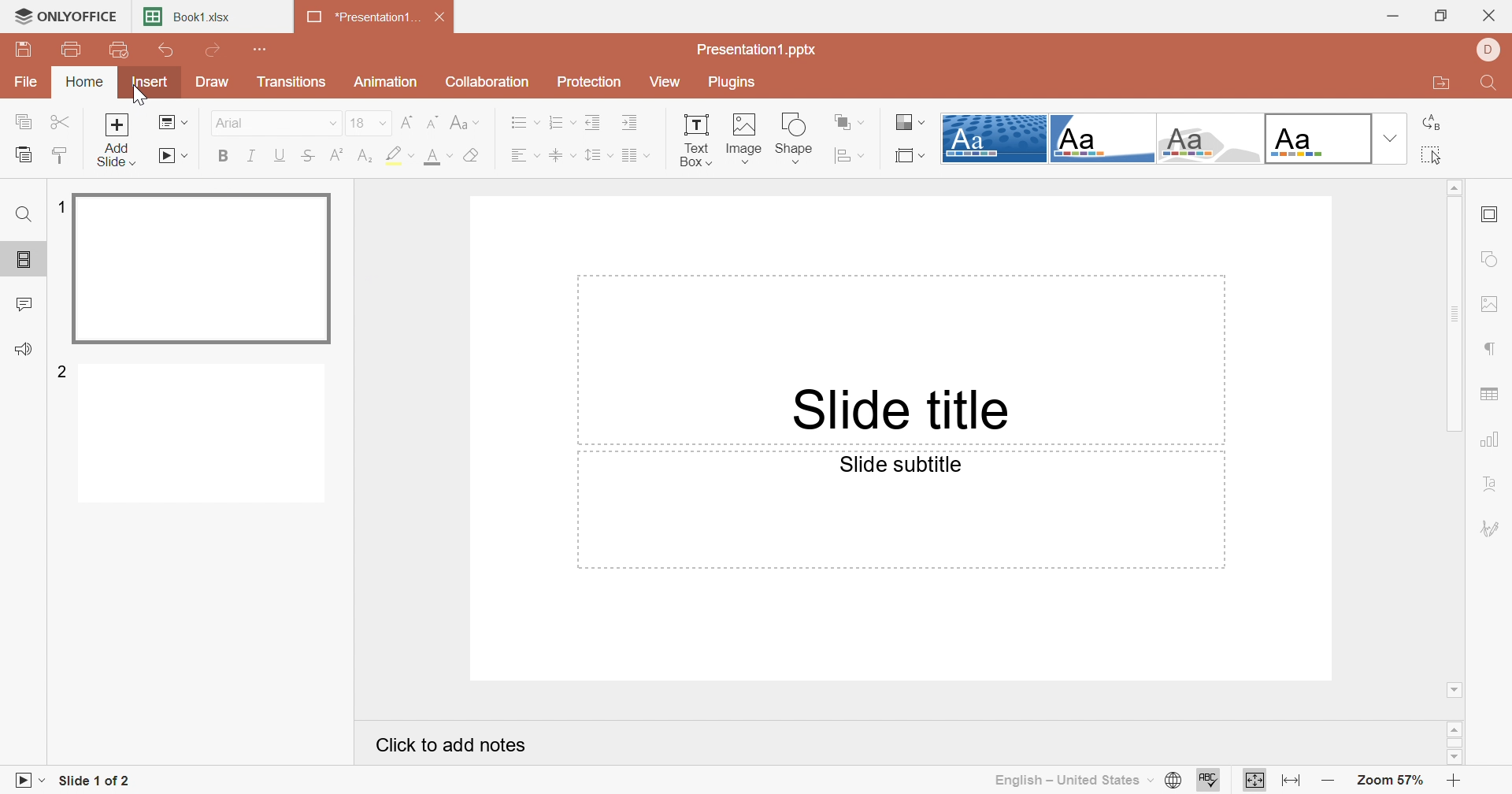 Image resolution: width=1512 pixels, height=794 pixels. What do you see at coordinates (27, 260) in the screenshot?
I see `Slides` at bounding box center [27, 260].